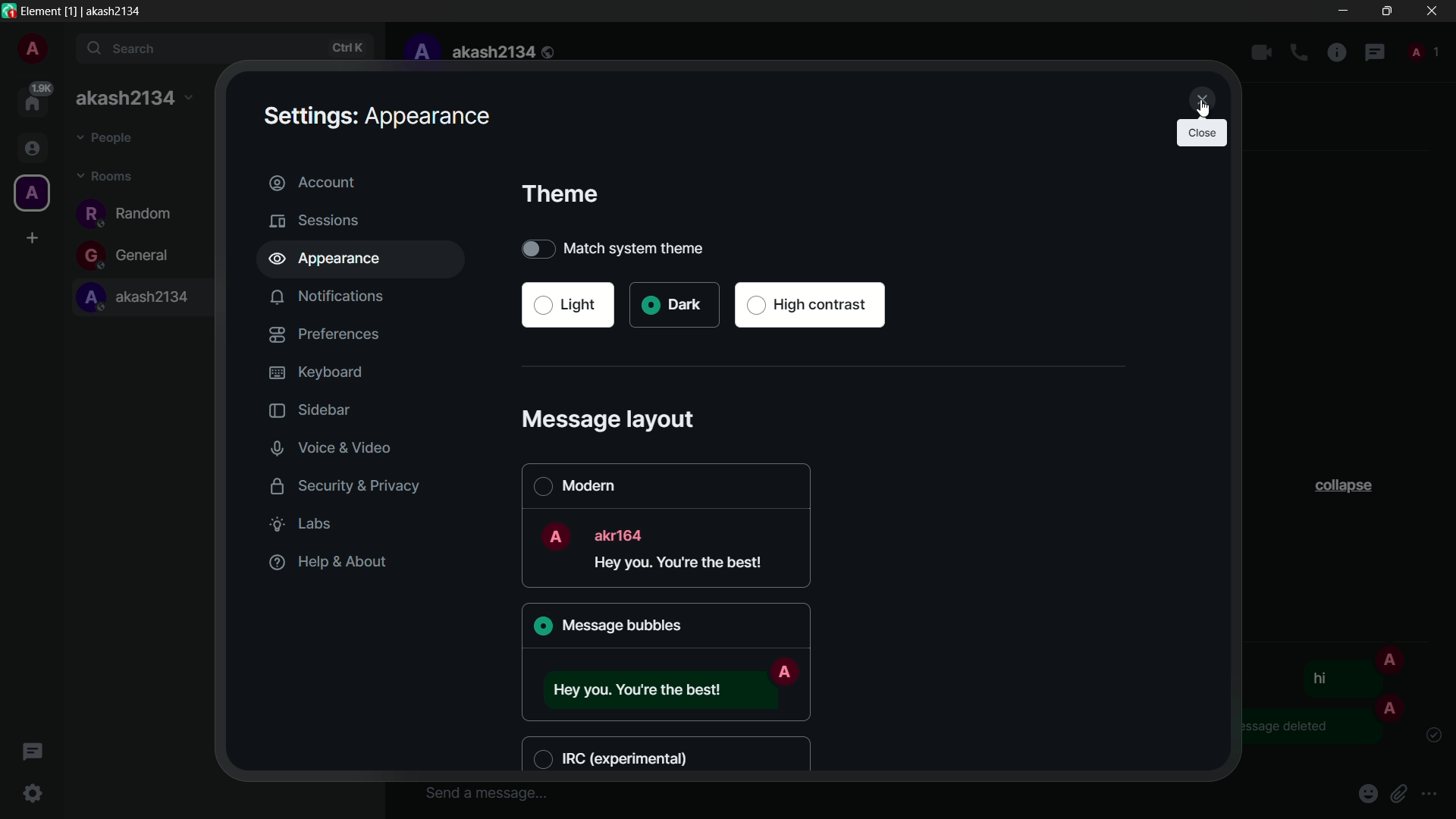  Describe the element at coordinates (1370, 792) in the screenshot. I see `emoji` at that location.